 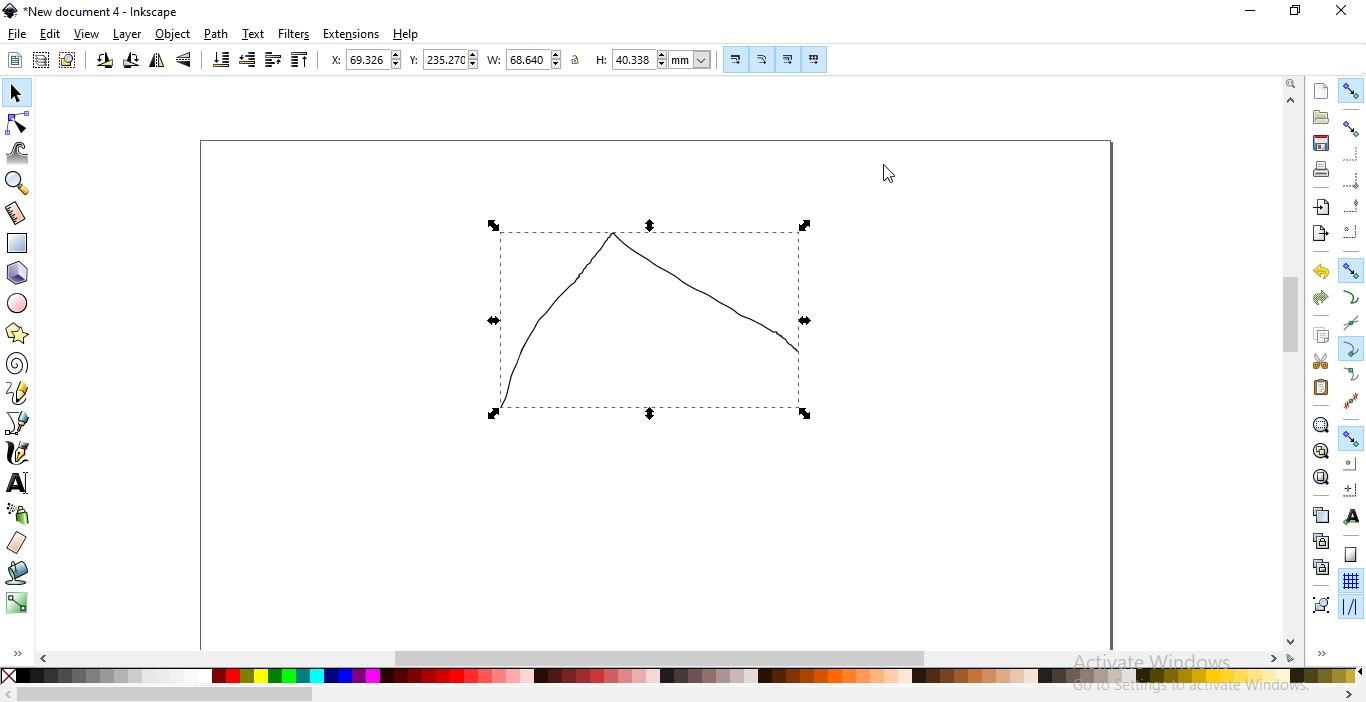 I want to click on new document 4 - Inkscape, so click(x=102, y=12).